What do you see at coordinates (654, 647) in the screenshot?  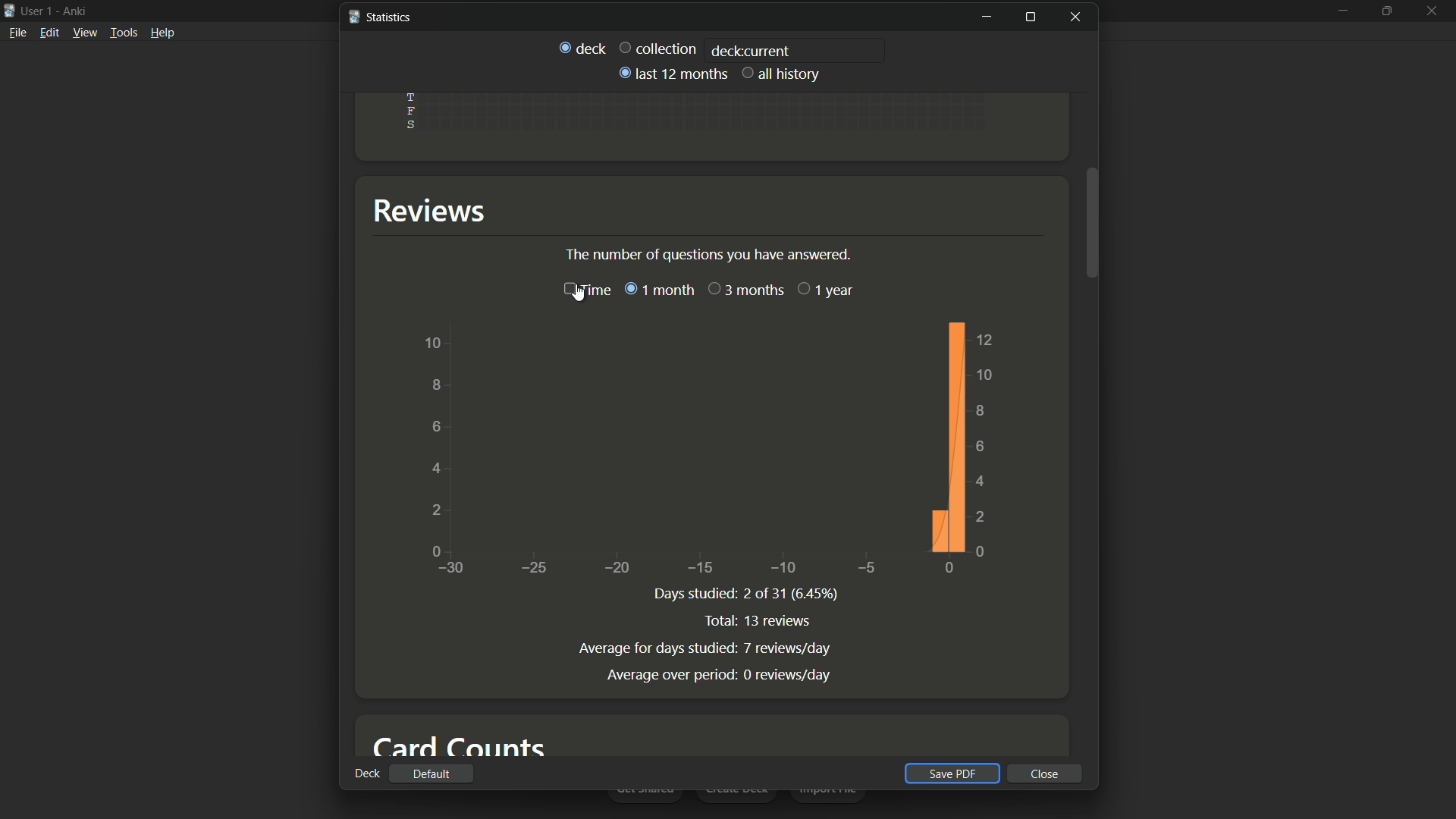 I see `average for days studied` at bounding box center [654, 647].